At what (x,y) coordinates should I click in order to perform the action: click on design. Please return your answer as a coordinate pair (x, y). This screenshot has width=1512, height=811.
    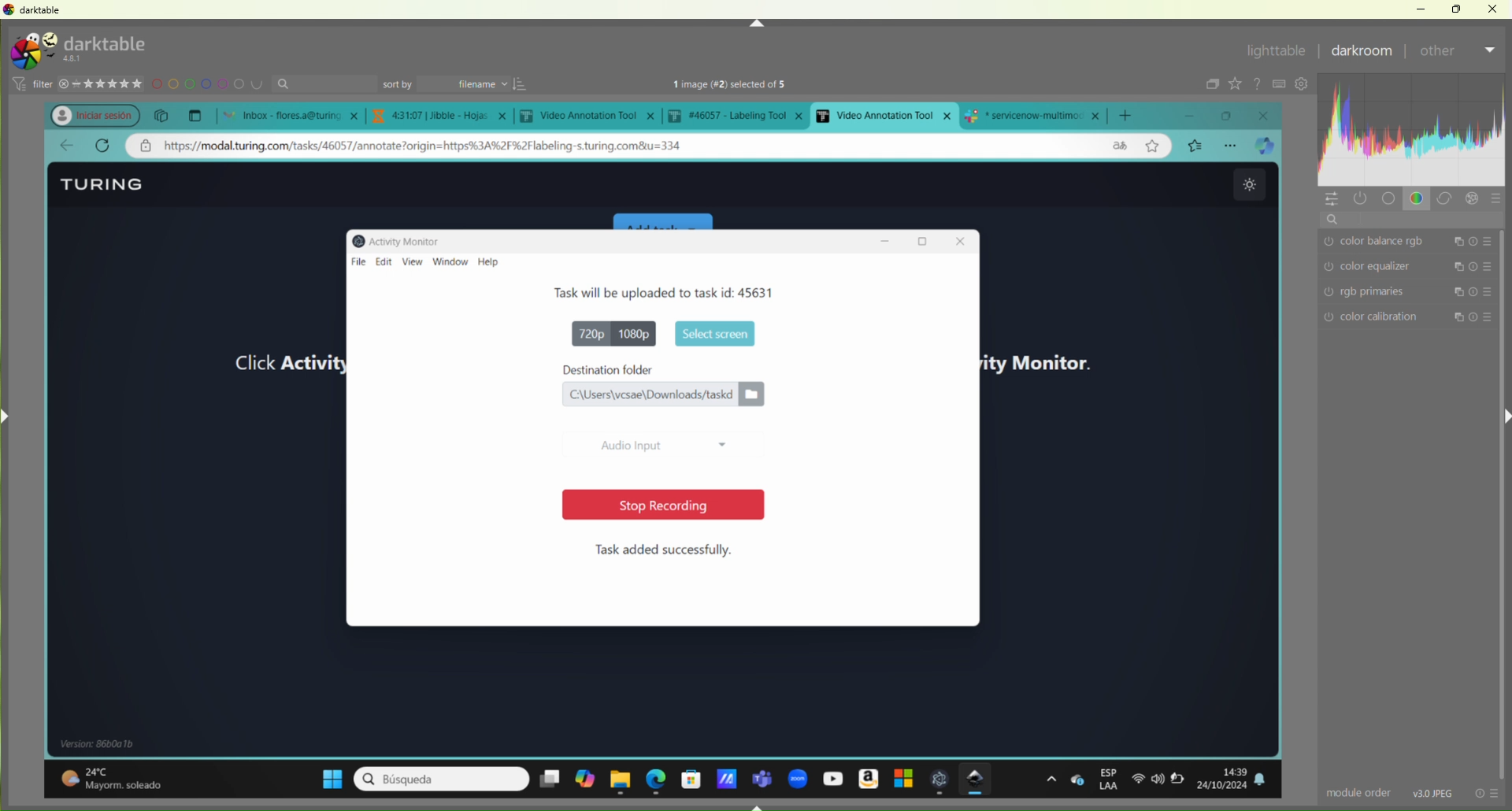
    Looking at the image, I should click on (209, 85).